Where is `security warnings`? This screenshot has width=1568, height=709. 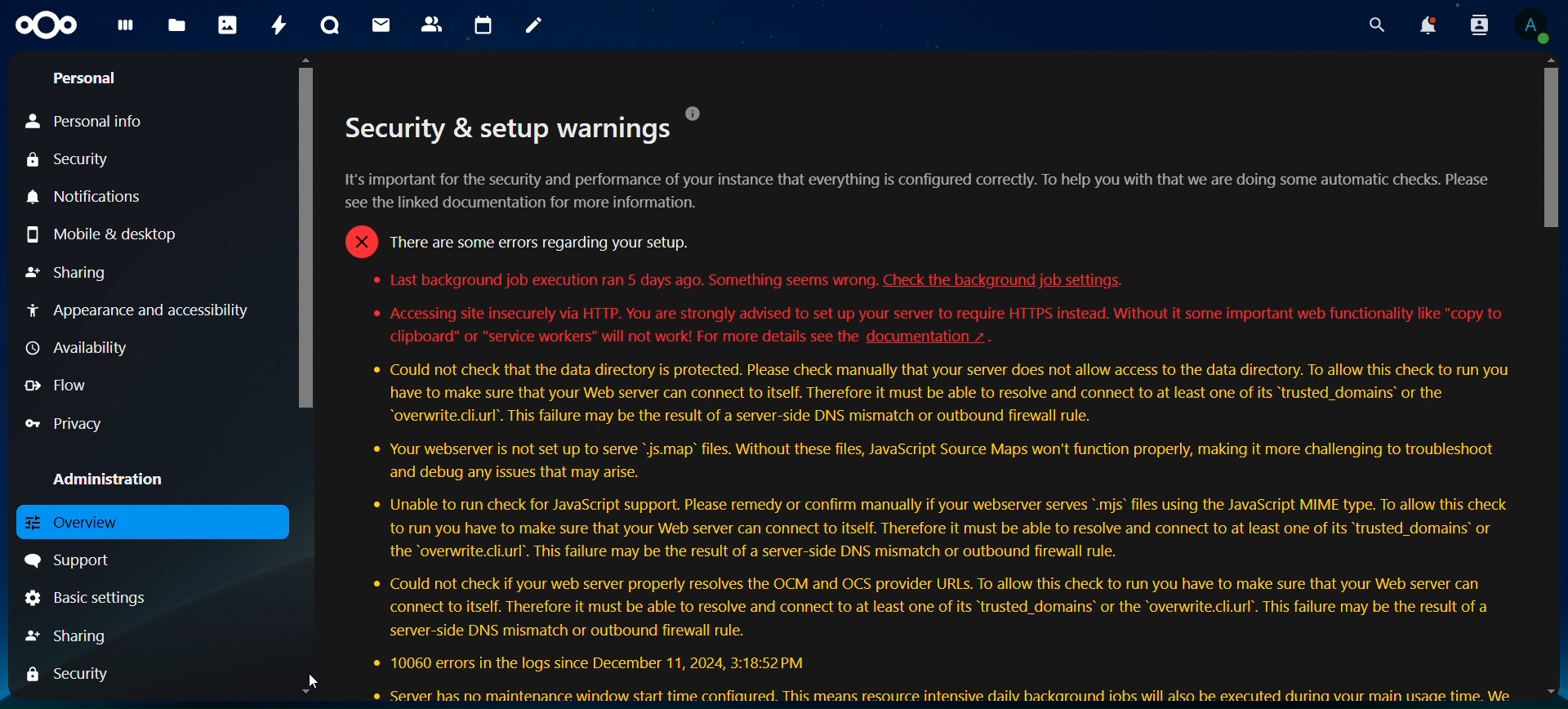 security warnings is located at coordinates (929, 404).